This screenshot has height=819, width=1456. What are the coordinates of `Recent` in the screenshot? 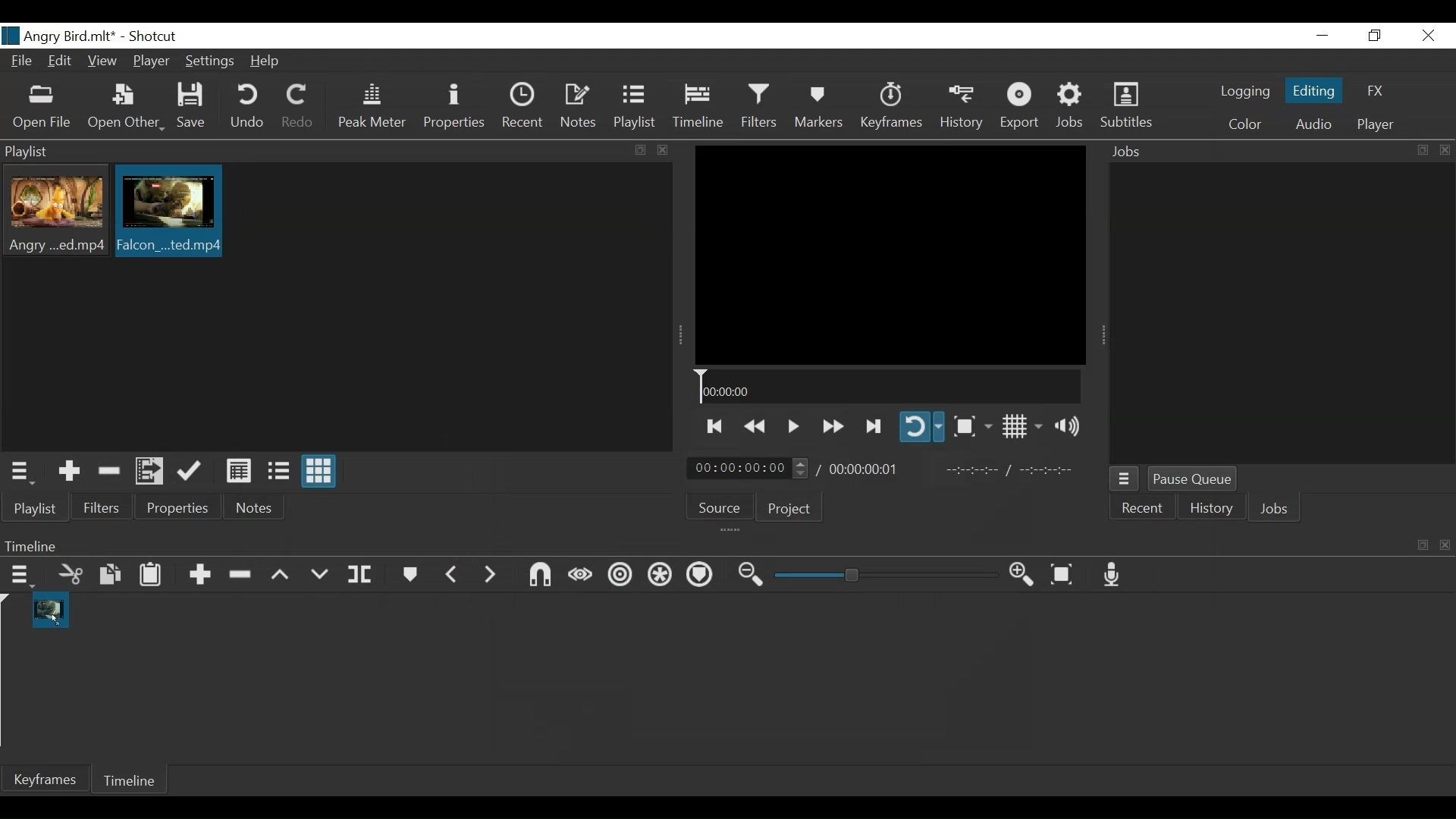 It's located at (524, 104).